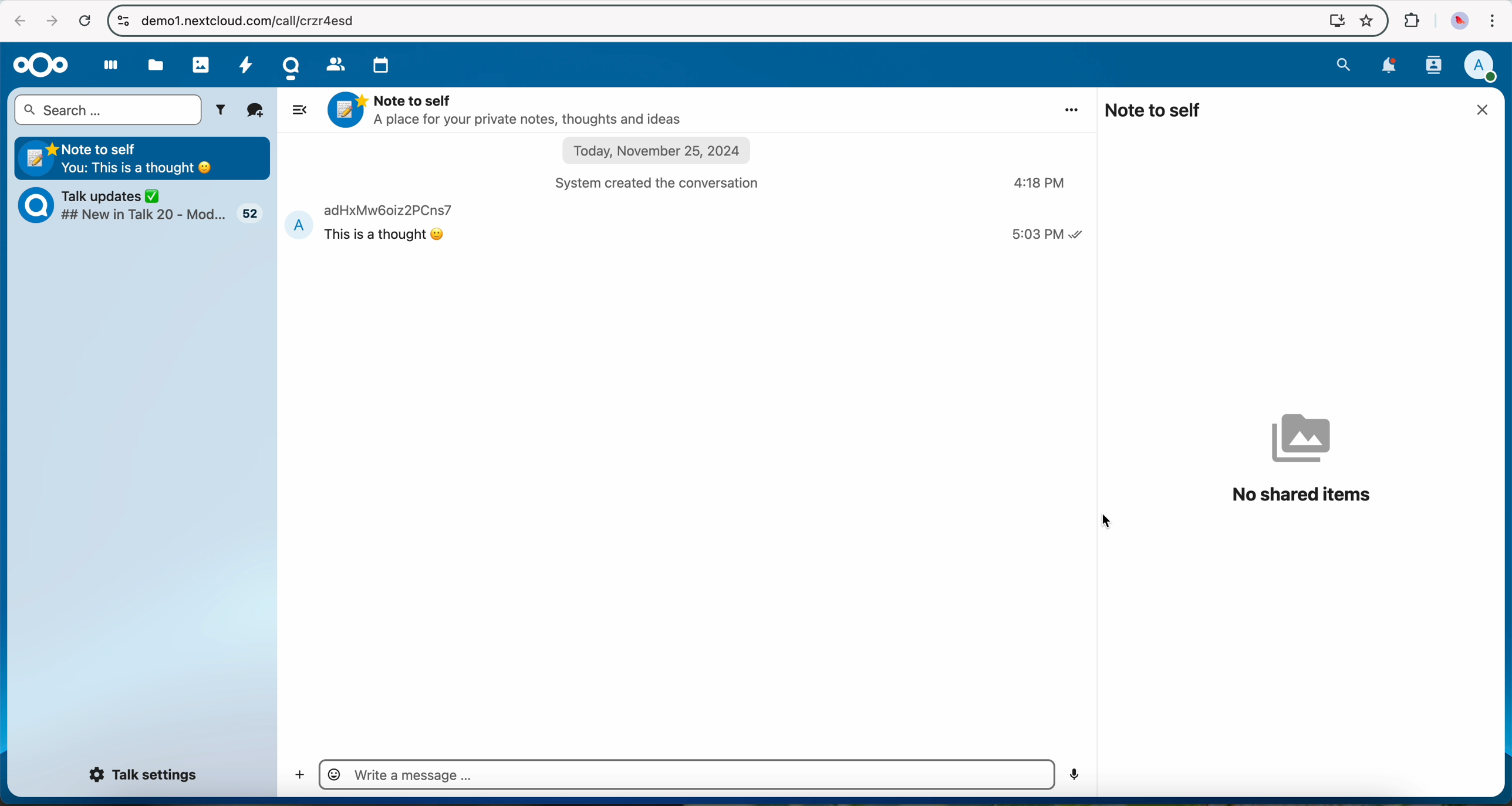 The image size is (1512, 806). I want to click on Talk, so click(290, 67).